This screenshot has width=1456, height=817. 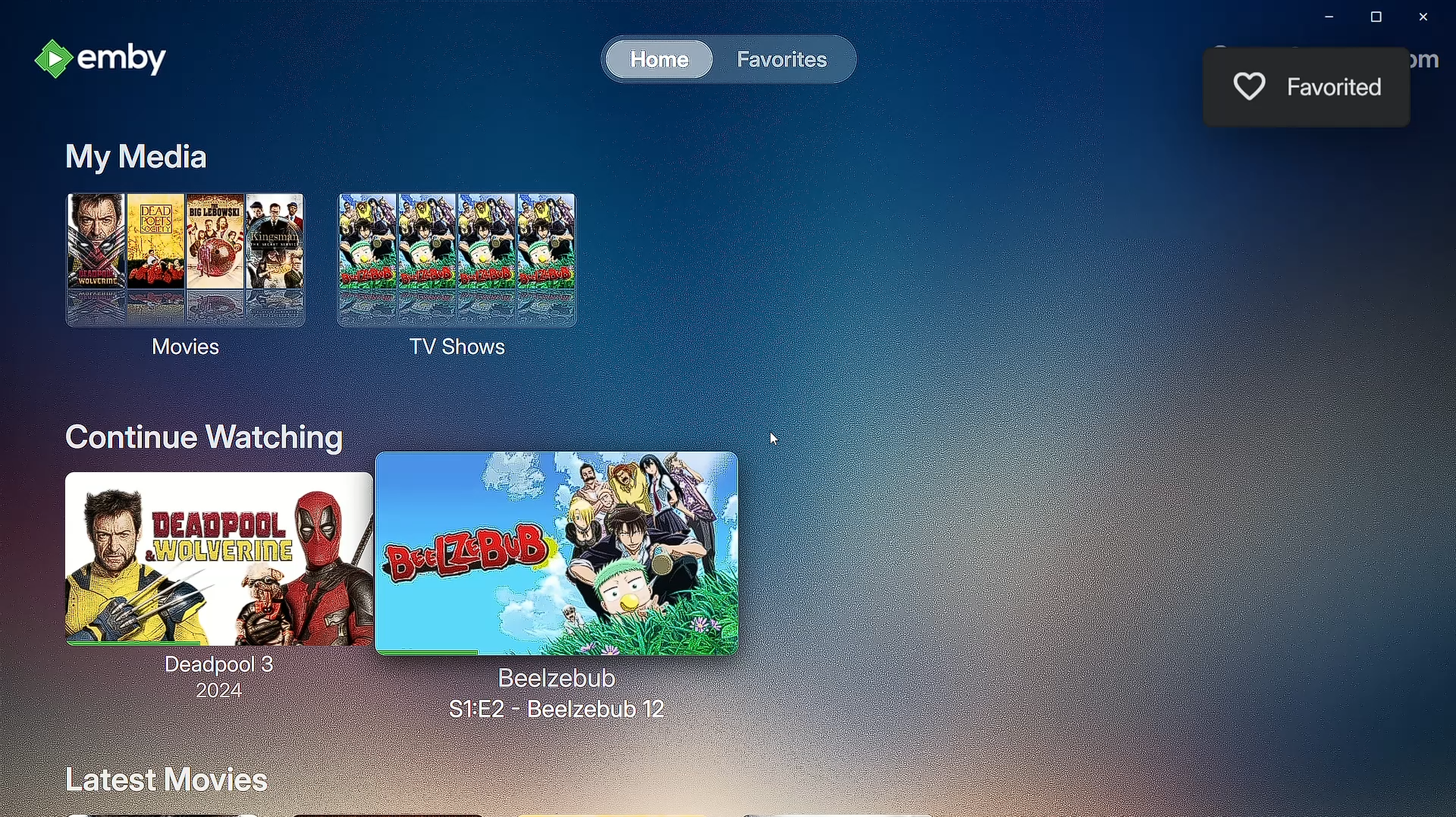 What do you see at coordinates (558, 556) in the screenshot?
I see `Beelzebub` at bounding box center [558, 556].